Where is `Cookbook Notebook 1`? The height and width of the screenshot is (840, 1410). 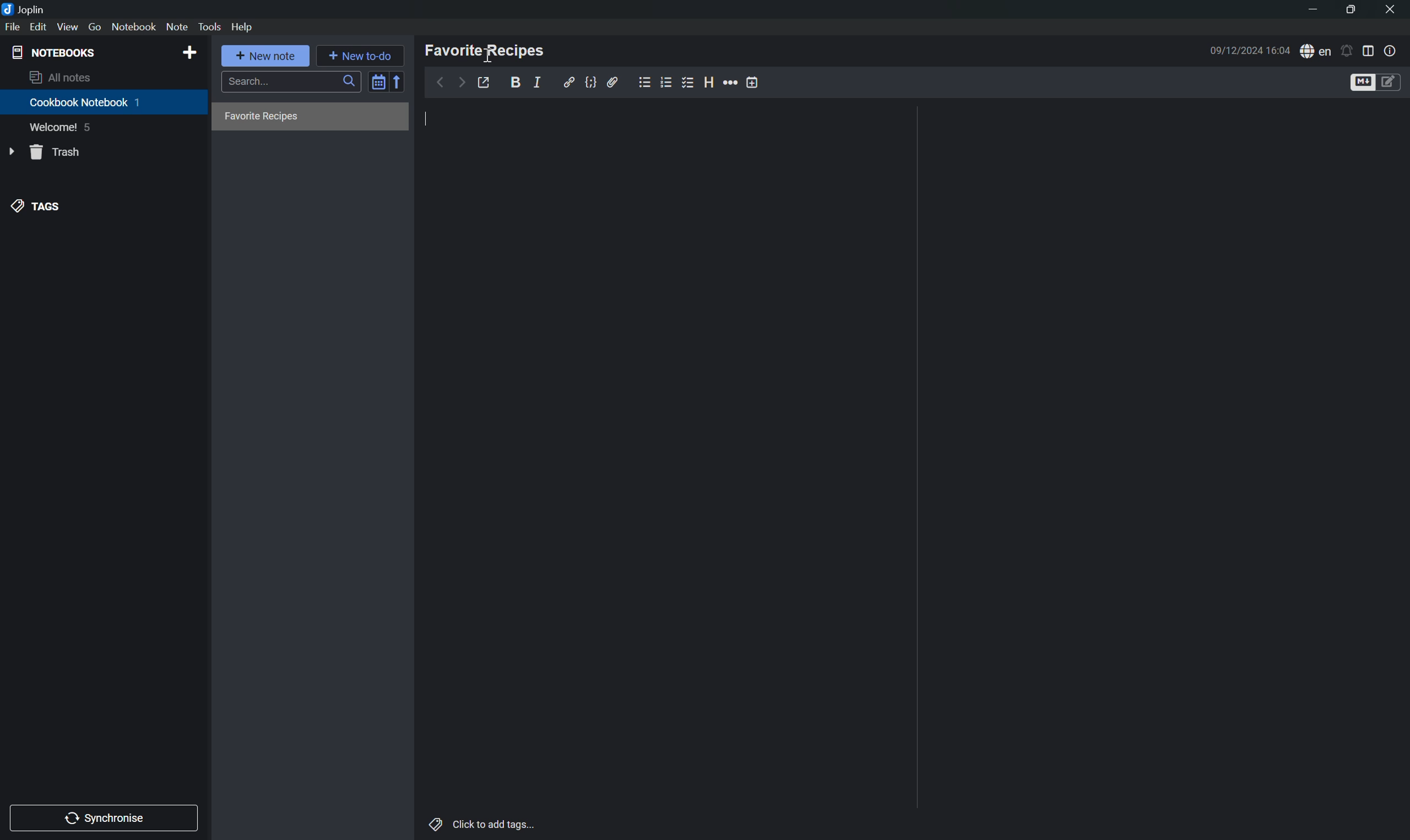 Cookbook Notebook 1 is located at coordinates (86, 102).